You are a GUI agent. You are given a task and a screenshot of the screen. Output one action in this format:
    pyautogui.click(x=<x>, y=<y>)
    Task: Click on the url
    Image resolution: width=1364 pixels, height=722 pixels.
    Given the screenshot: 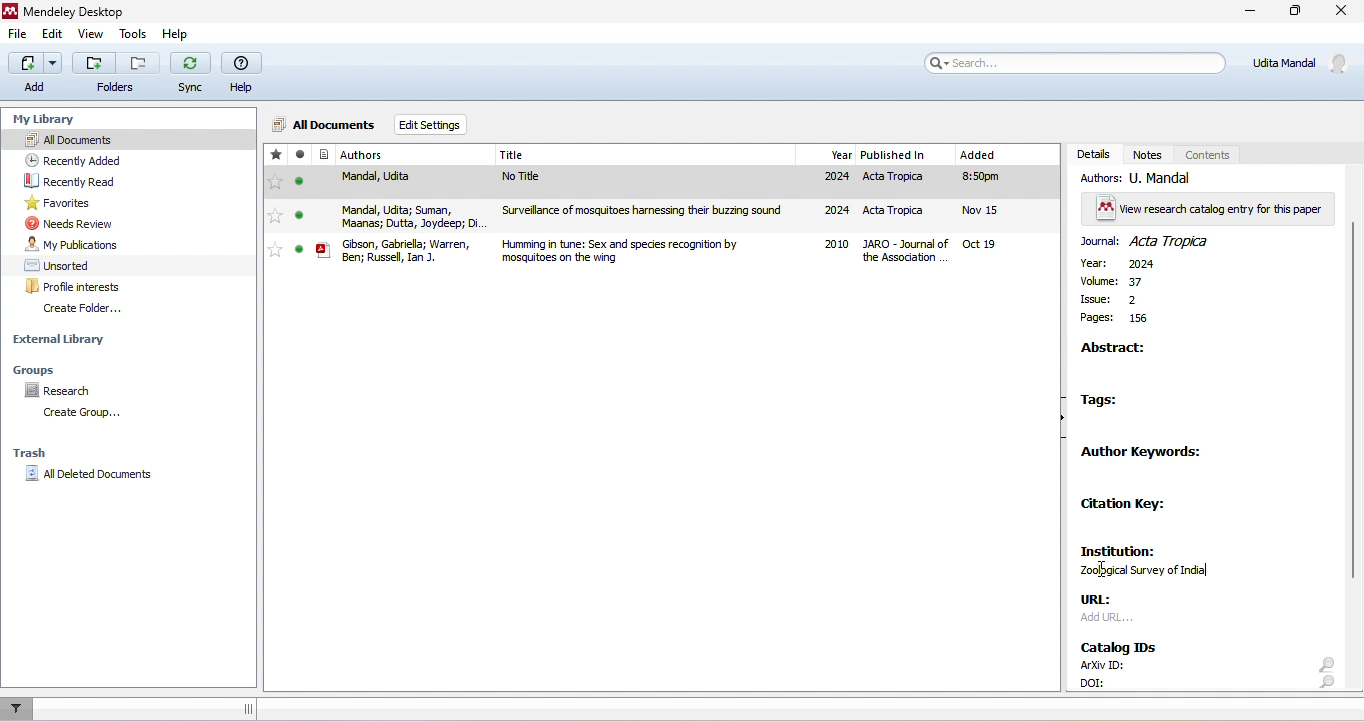 What is the action you would take?
    pyautogui.click(x=1106, y=601)
    